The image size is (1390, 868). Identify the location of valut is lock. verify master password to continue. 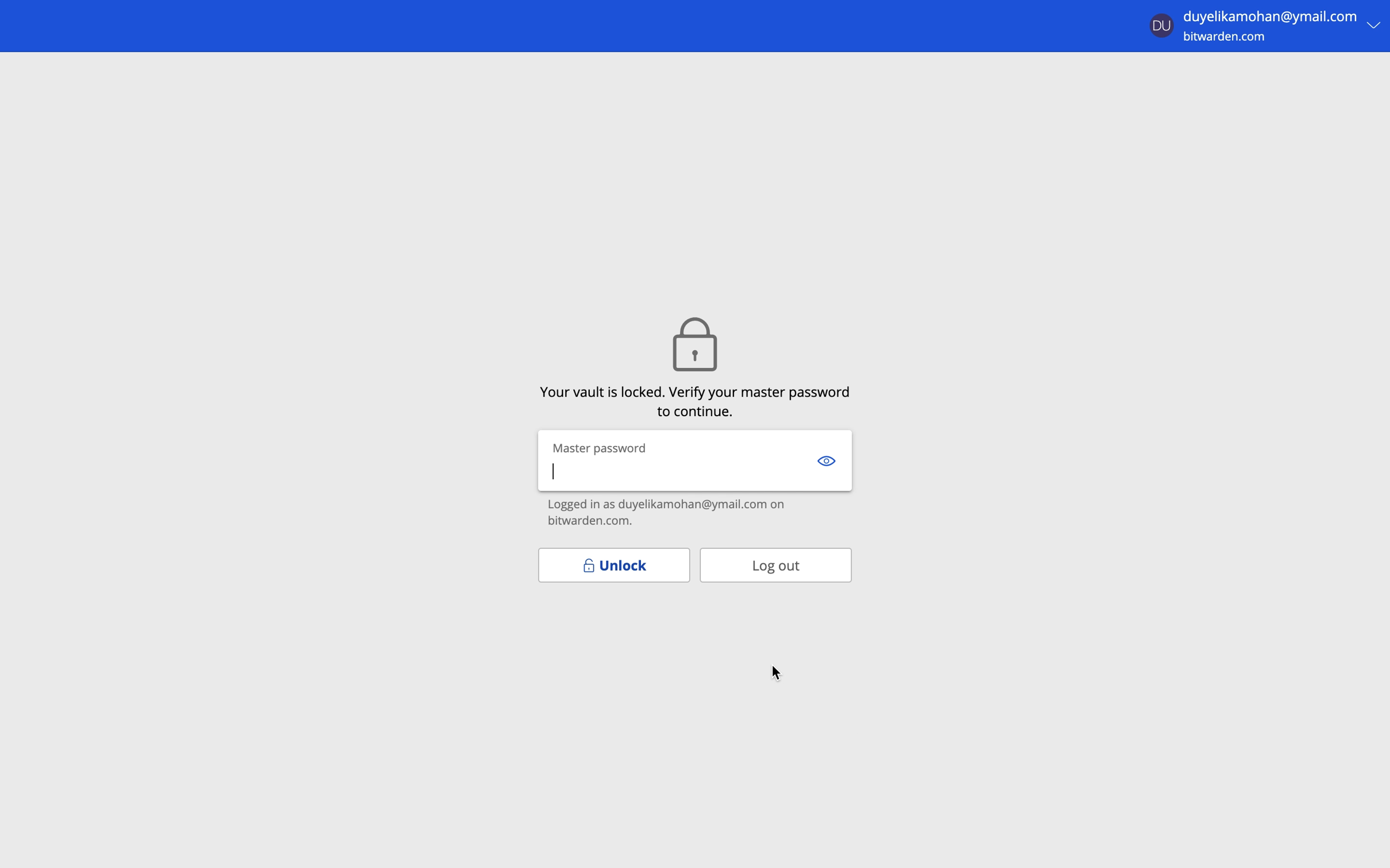
(697, 400).